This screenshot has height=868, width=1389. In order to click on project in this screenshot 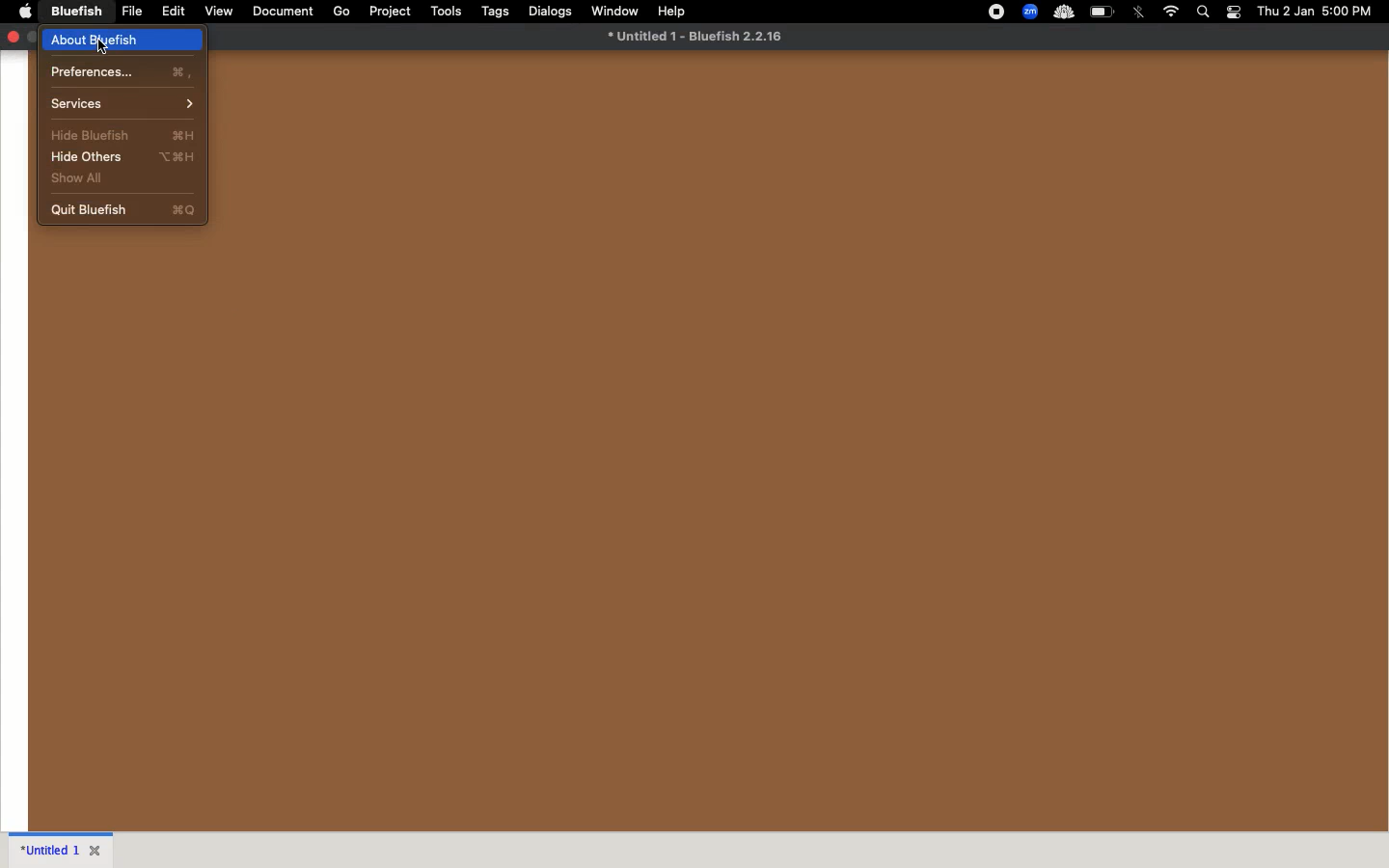, I will do `click(390, 12)`.